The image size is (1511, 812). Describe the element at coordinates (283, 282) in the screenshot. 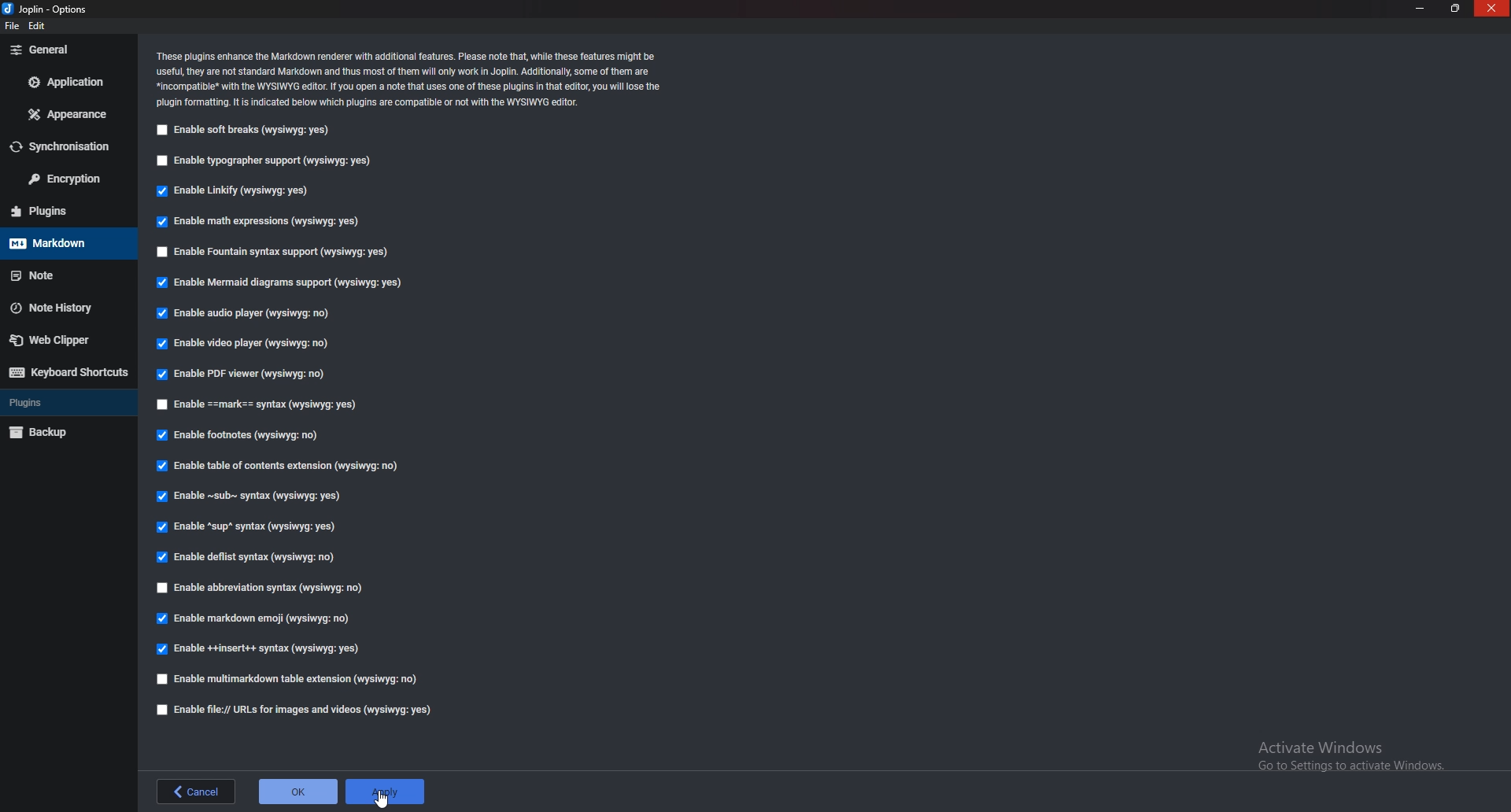

I see `Enable mermaid diagrams` at that location.